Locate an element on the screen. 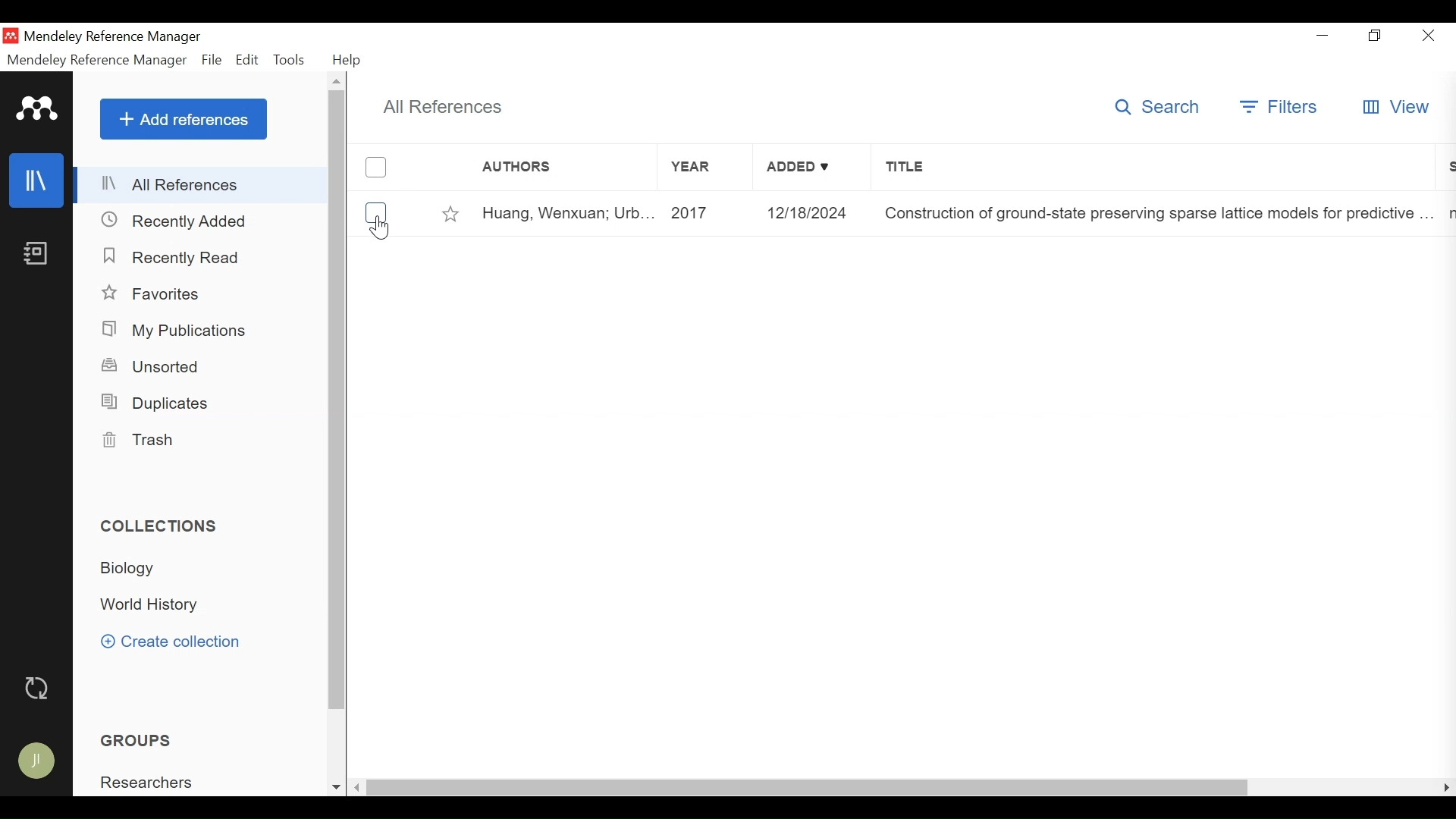 This screenshot has width=1456, height=819. Title is located at coordinates (1158, 214).